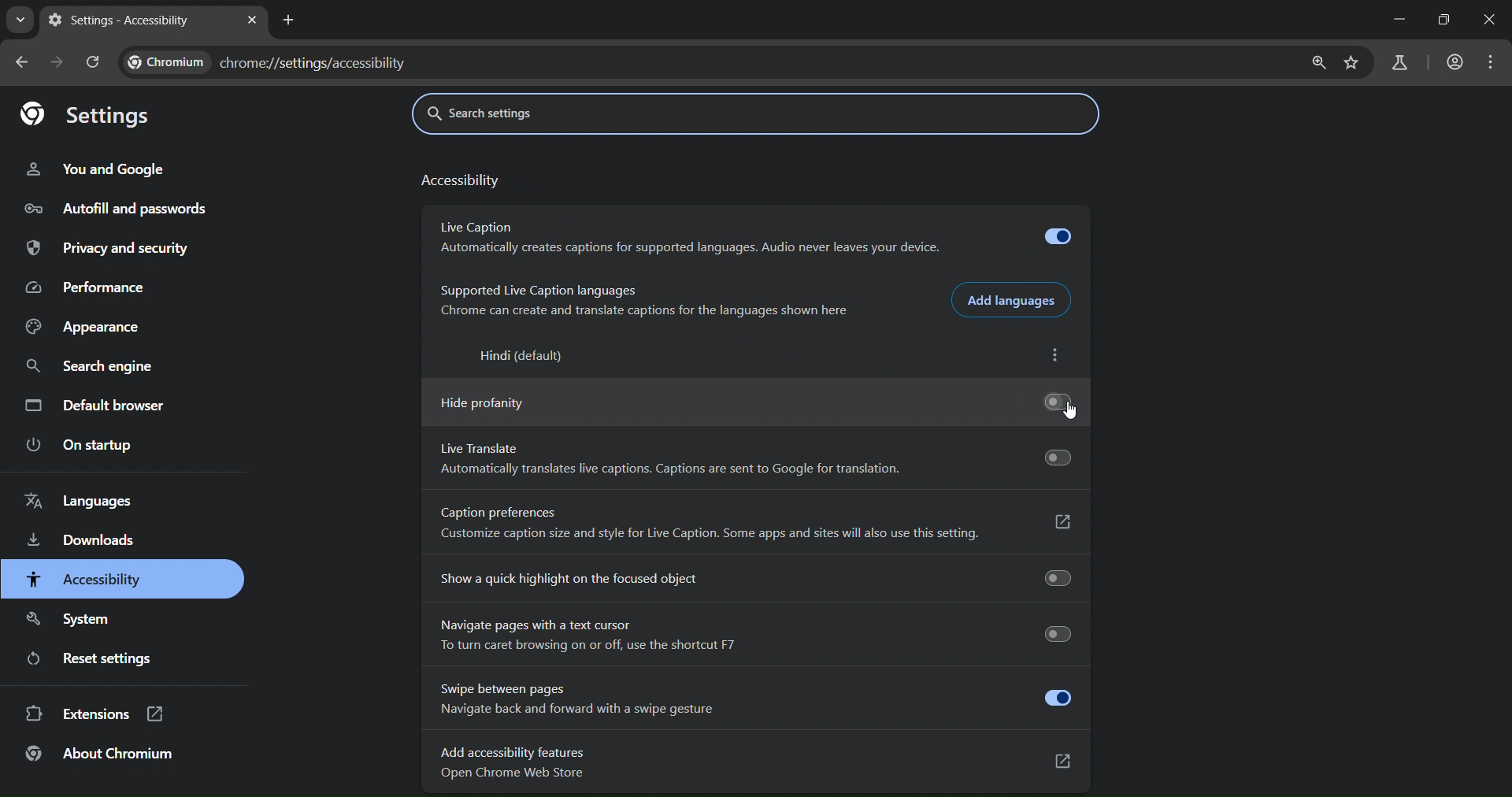 The width and height of the screenshot is (1512, 797). I want to click on search labs, so click(1399, 64).